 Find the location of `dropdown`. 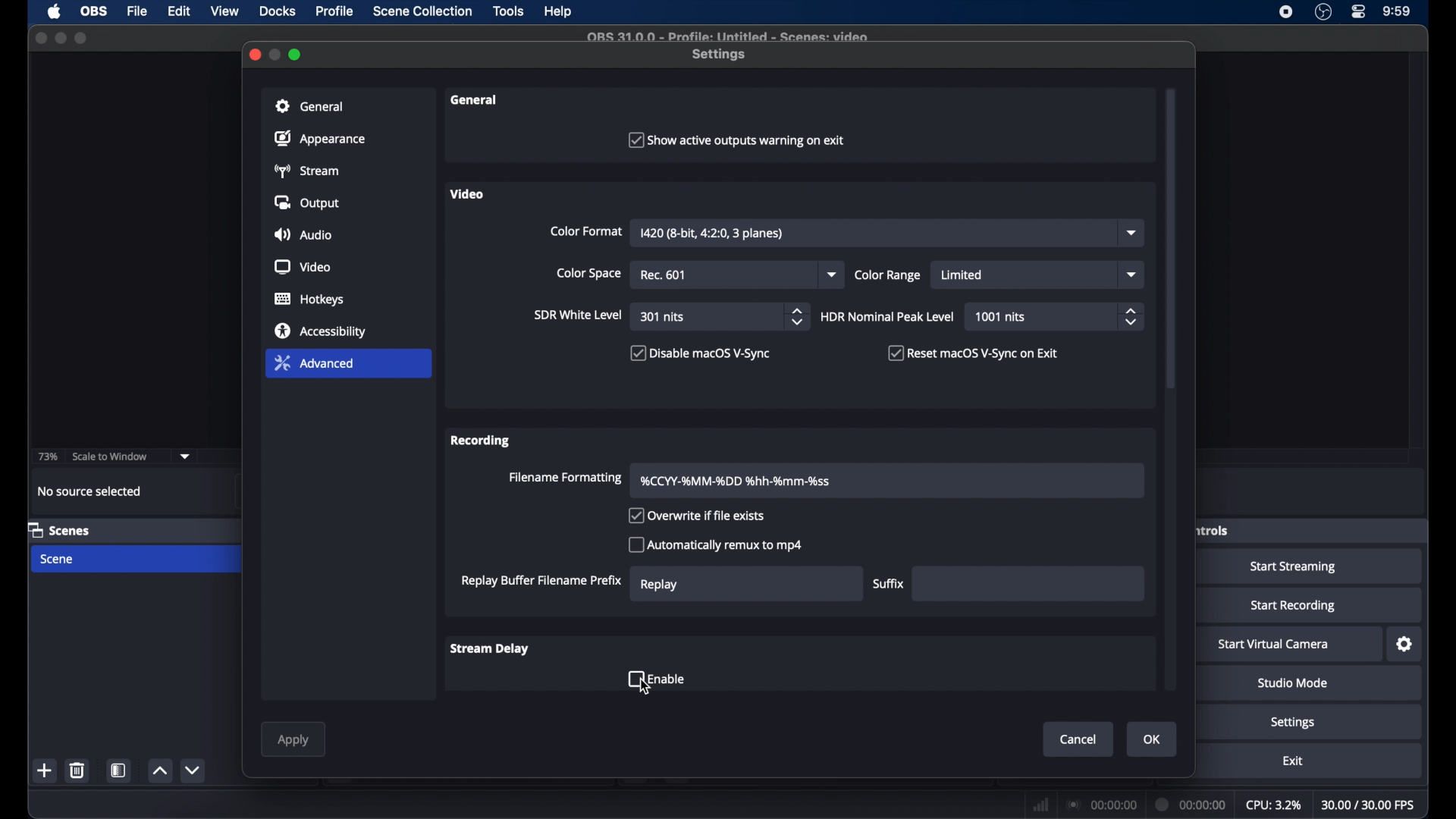

dropdown is located at coordinates (1130, 274).